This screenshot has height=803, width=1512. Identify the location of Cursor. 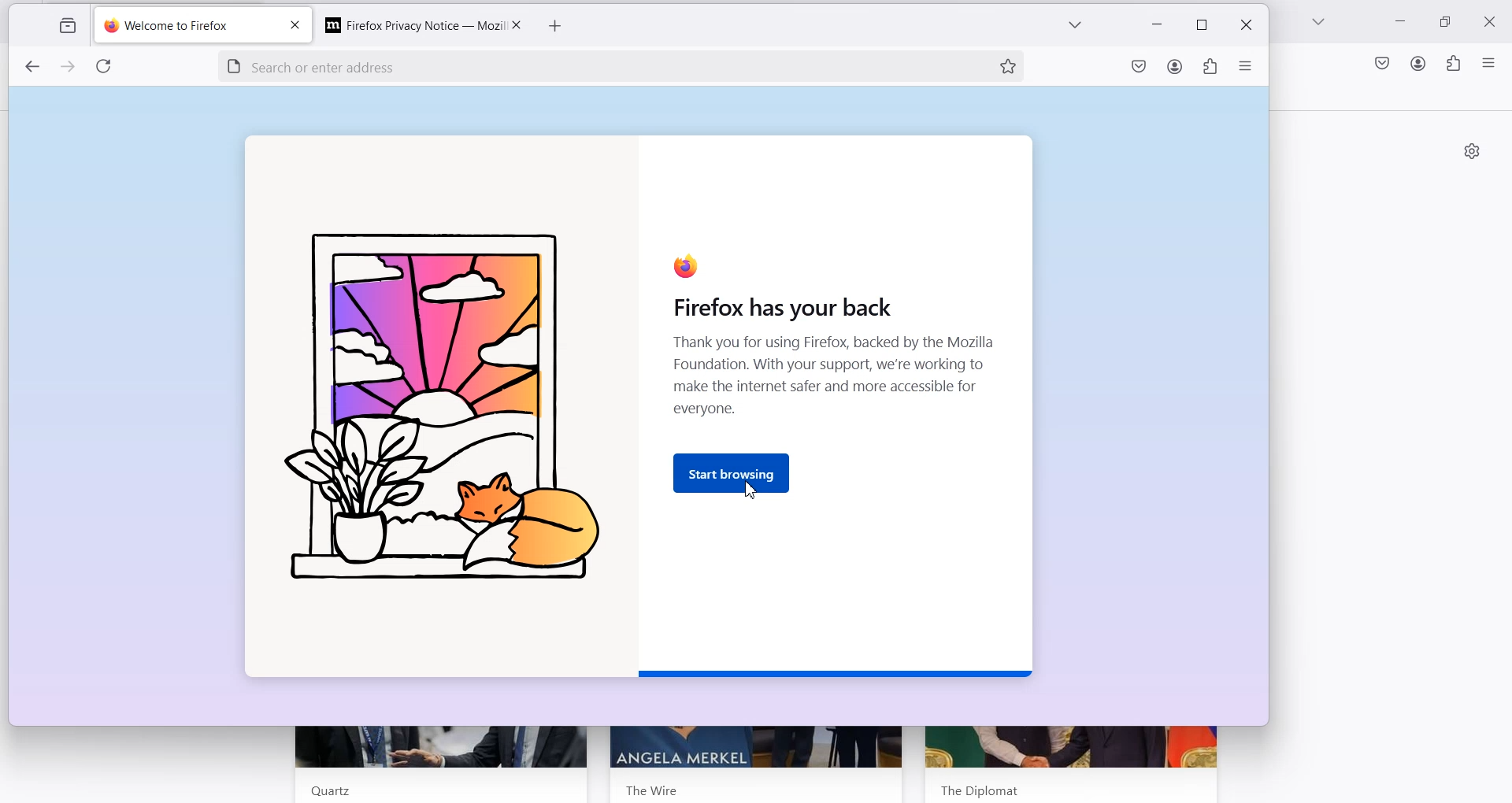
(752, 490).